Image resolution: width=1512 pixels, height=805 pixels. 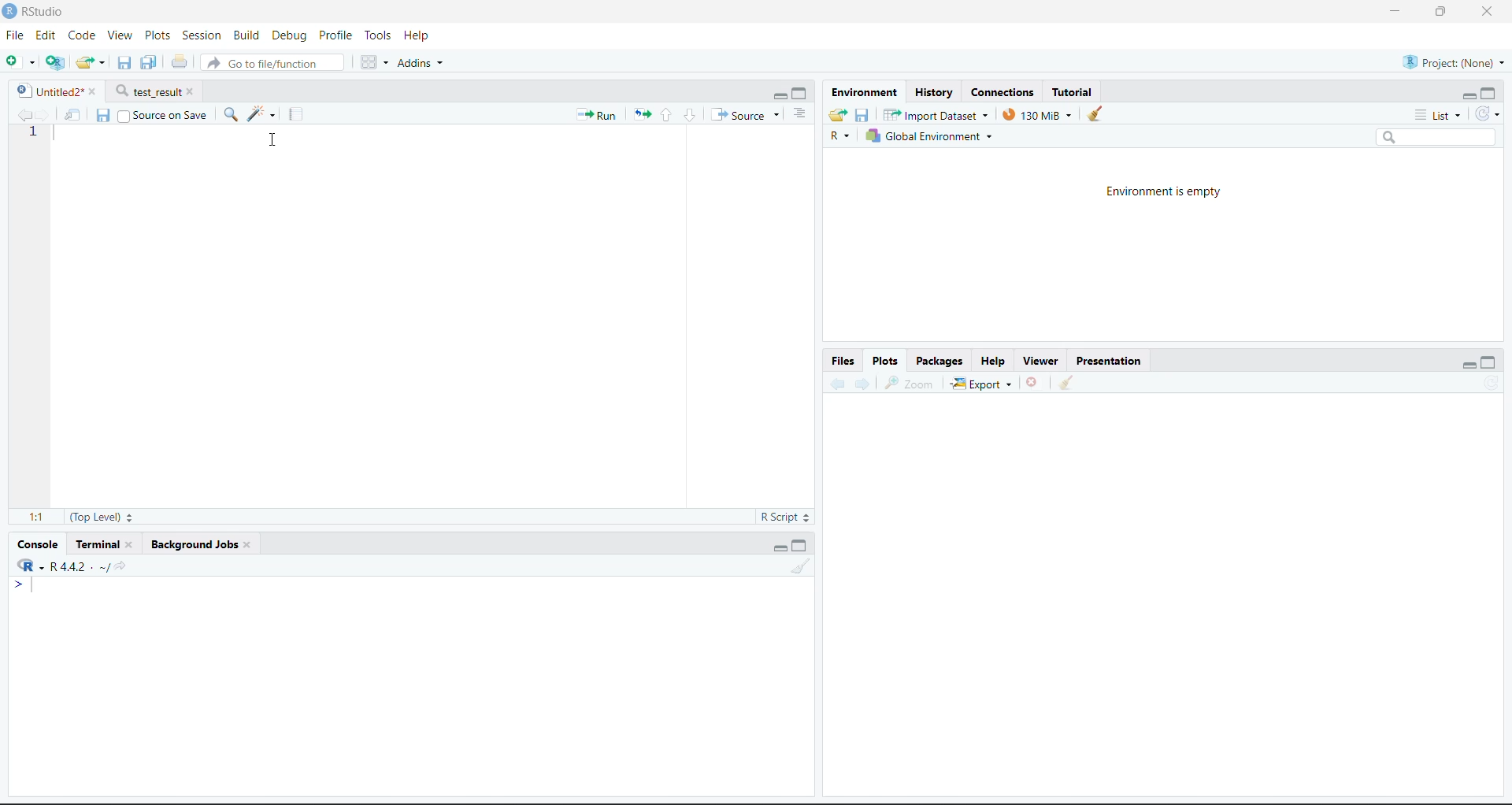 I want to click on Go to next section/chunk (Ctrl + pgDn), so click(x=689, y=114).